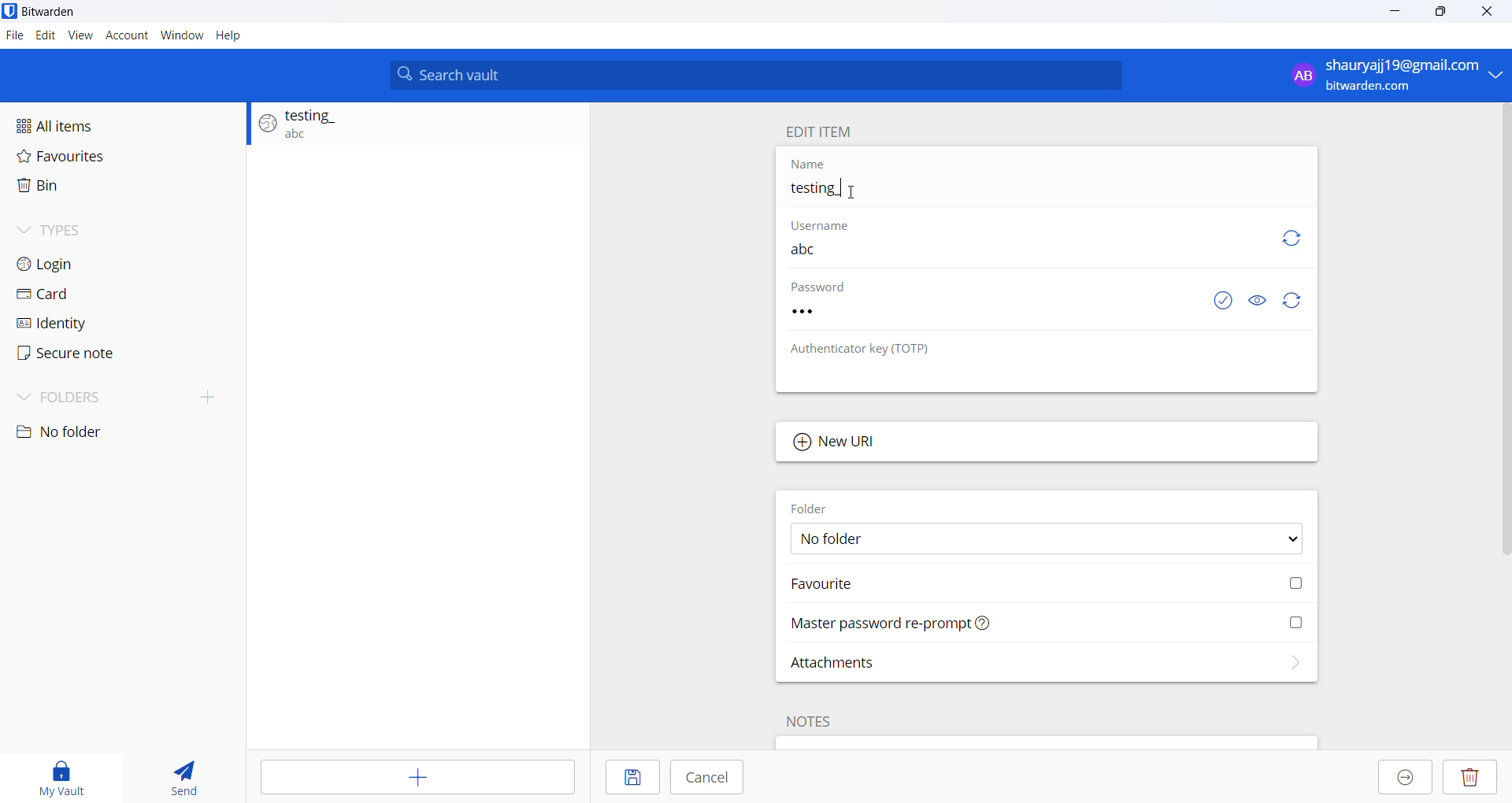 The image size is (1512, 803). Describe the element at coordinates (1038, 191) in the screenshot. I see `Entry name input` at that location.